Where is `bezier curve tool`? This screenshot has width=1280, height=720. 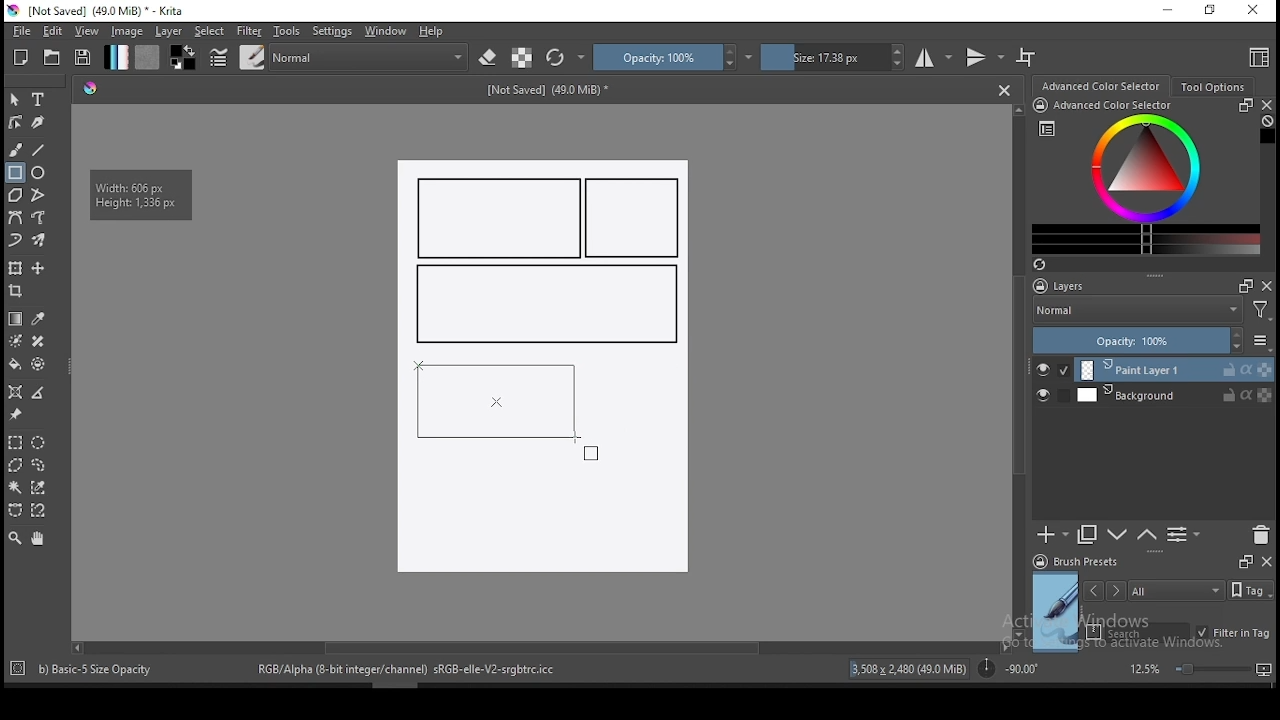 bezier curve tool is located at coordinates (14, 219).